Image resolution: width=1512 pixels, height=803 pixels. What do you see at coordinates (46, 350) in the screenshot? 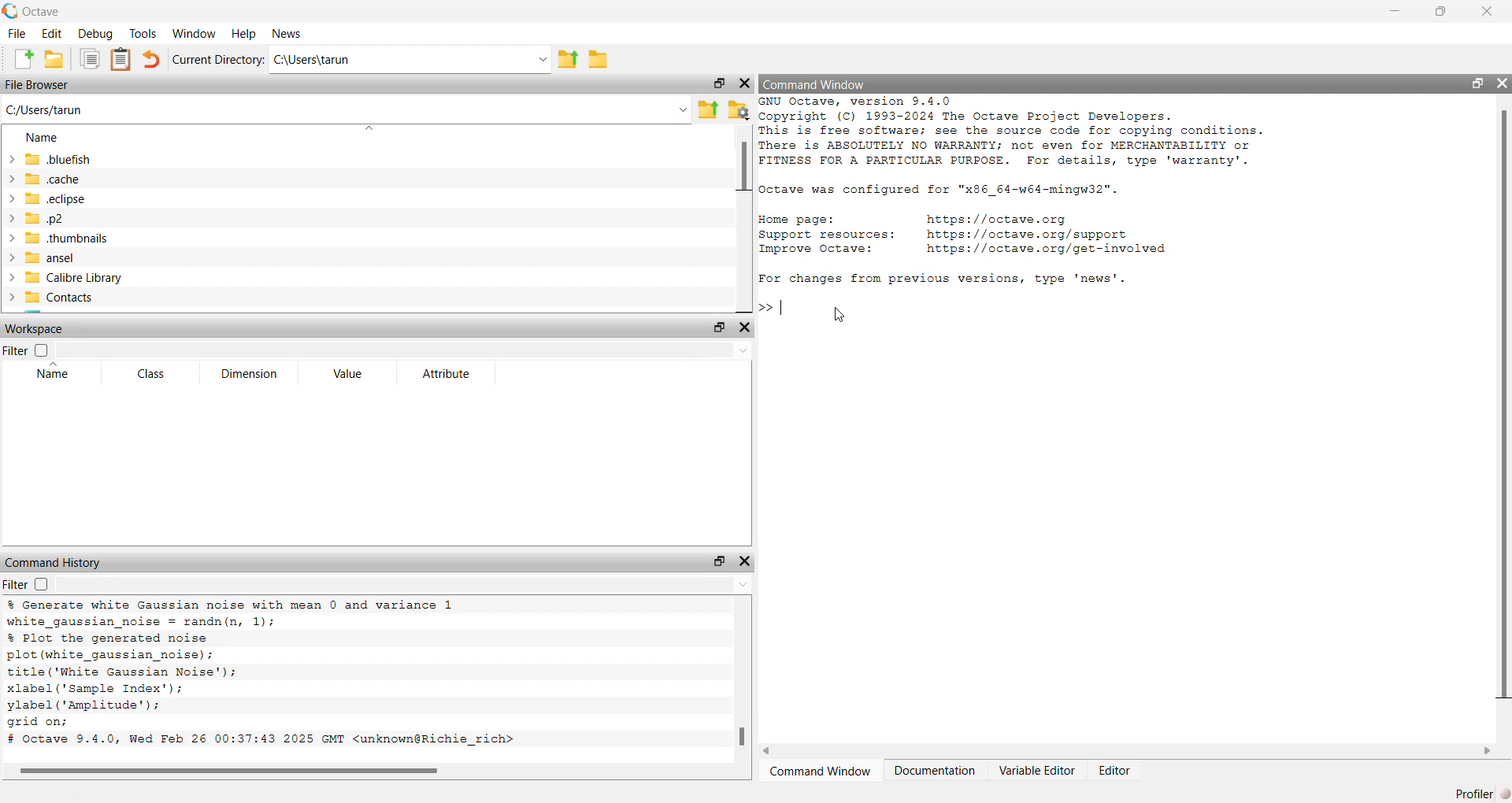
I see `checkbox` at bounding box center [46, 350].